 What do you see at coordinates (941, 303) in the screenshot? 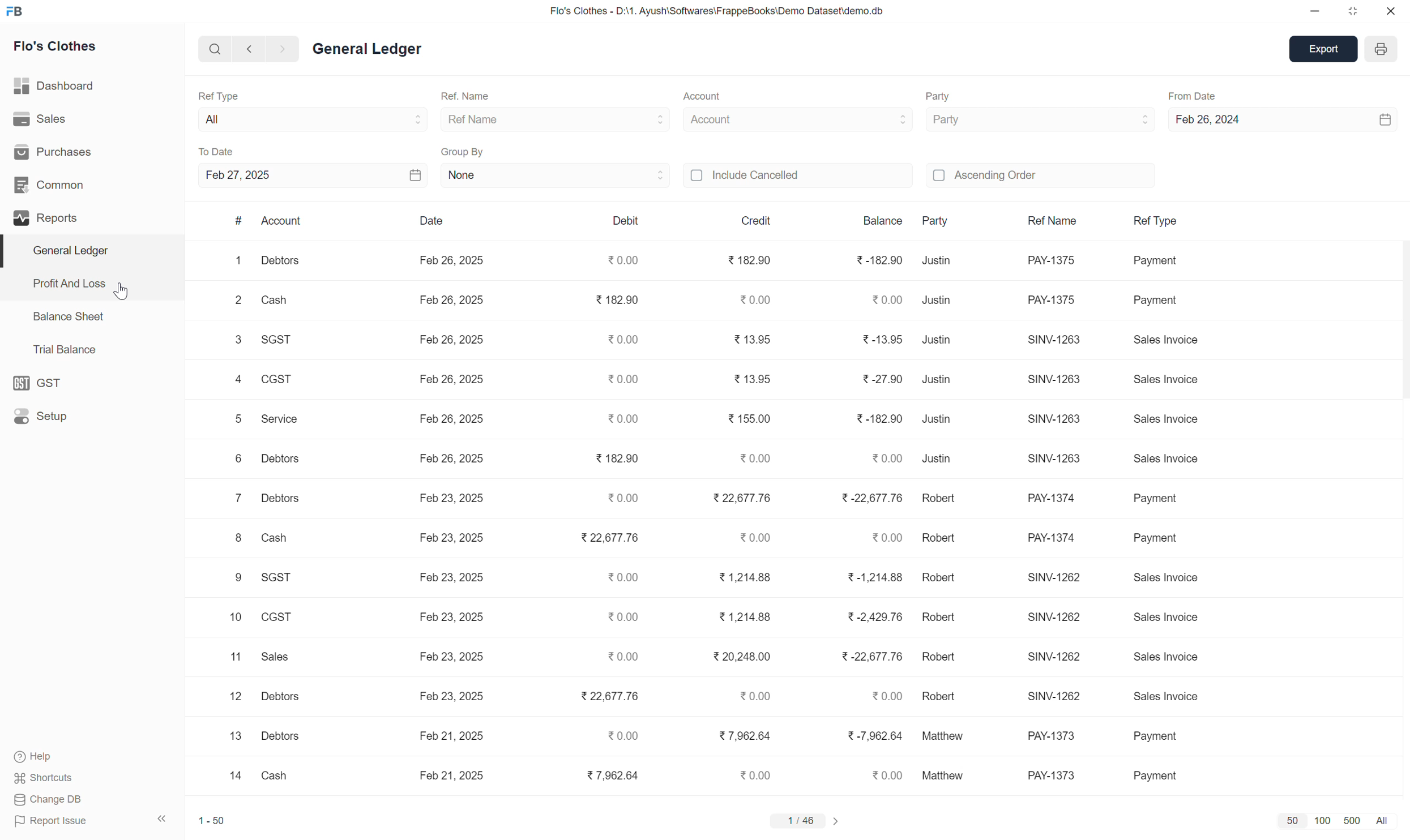
I see `Justin` at bounding box center [941, 303].